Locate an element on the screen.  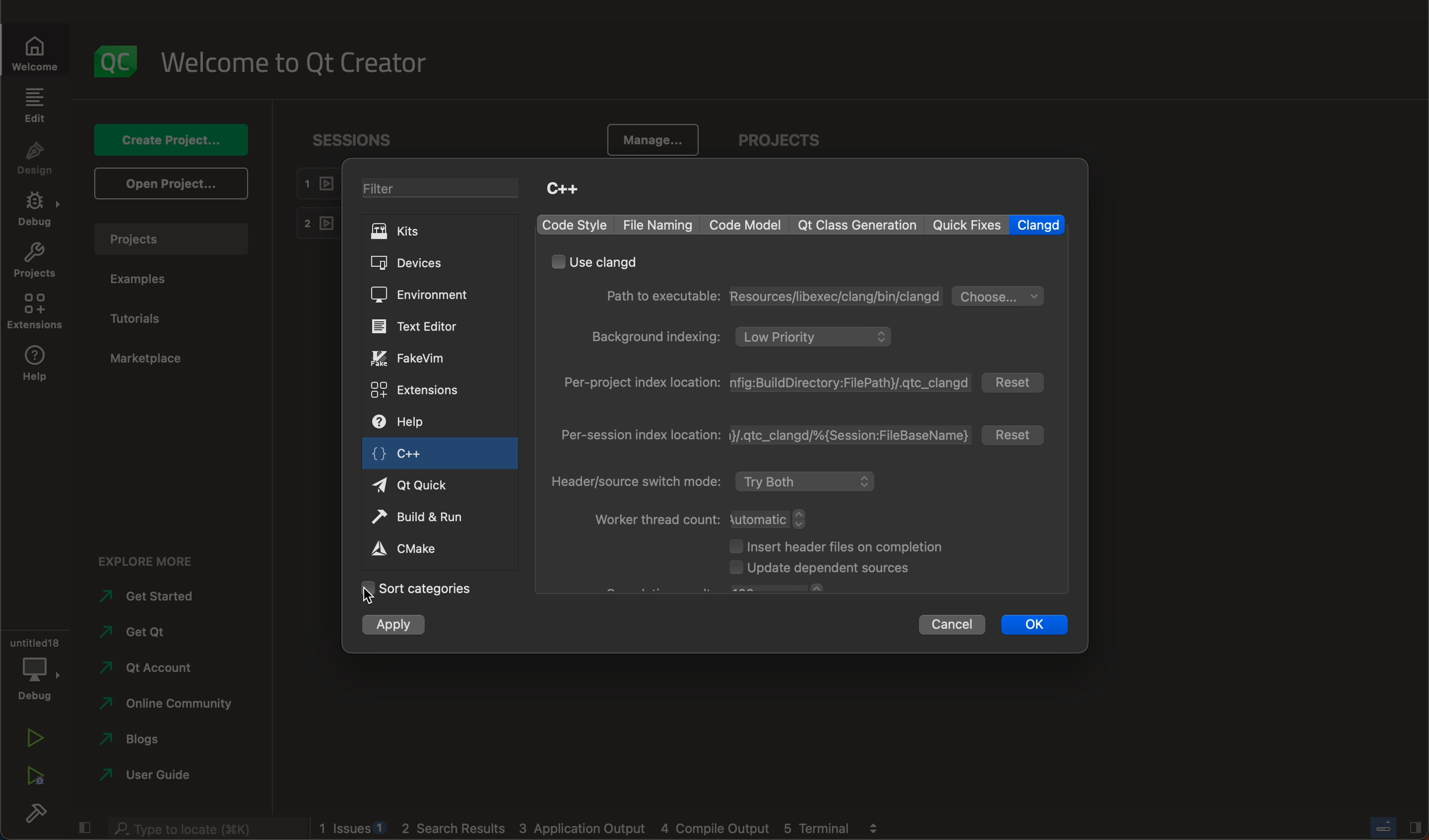
marketplace is located at coordinates (151, 357).